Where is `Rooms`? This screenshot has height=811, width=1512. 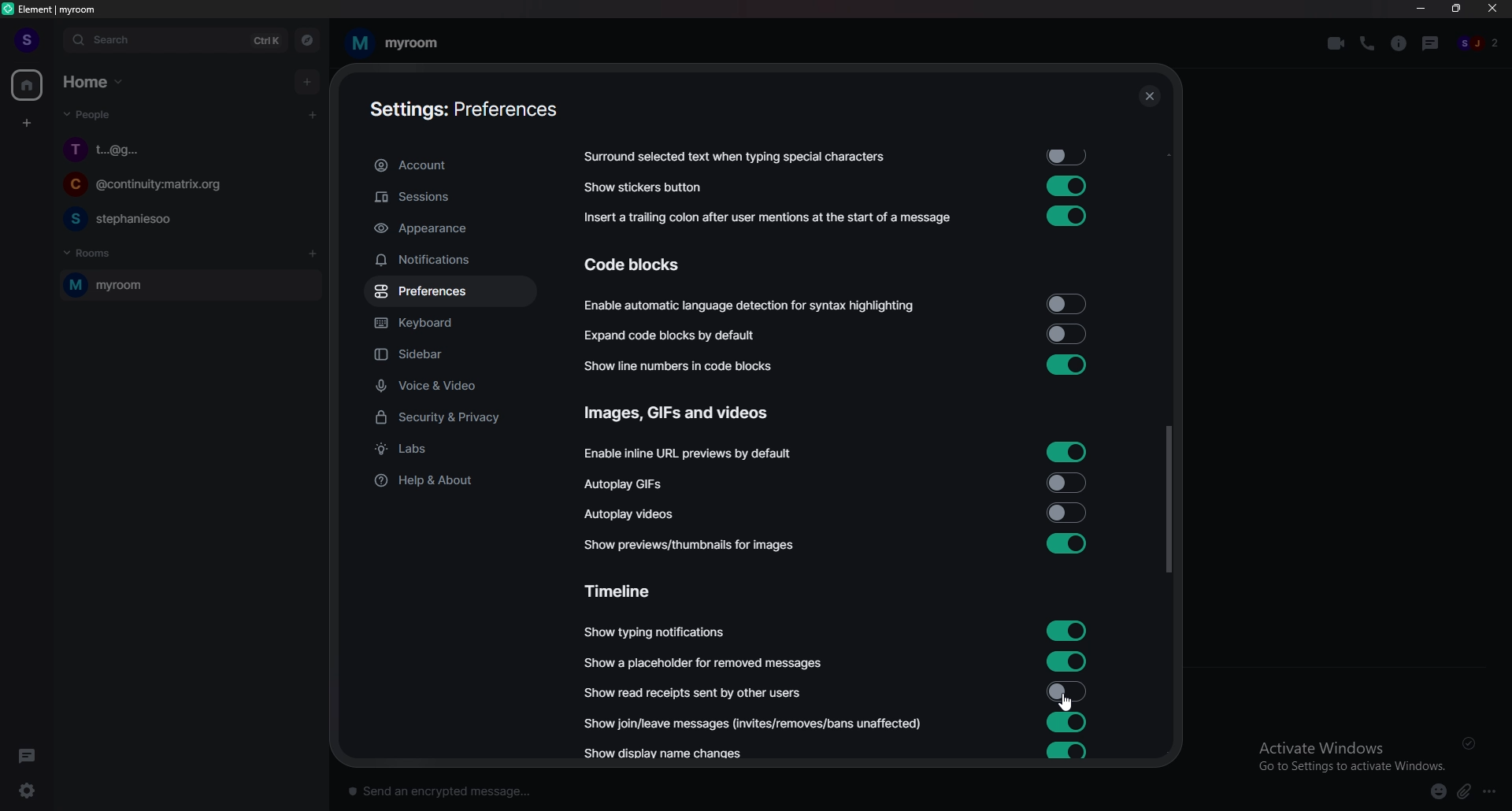
Rooms is located at coordinates (91, 251).